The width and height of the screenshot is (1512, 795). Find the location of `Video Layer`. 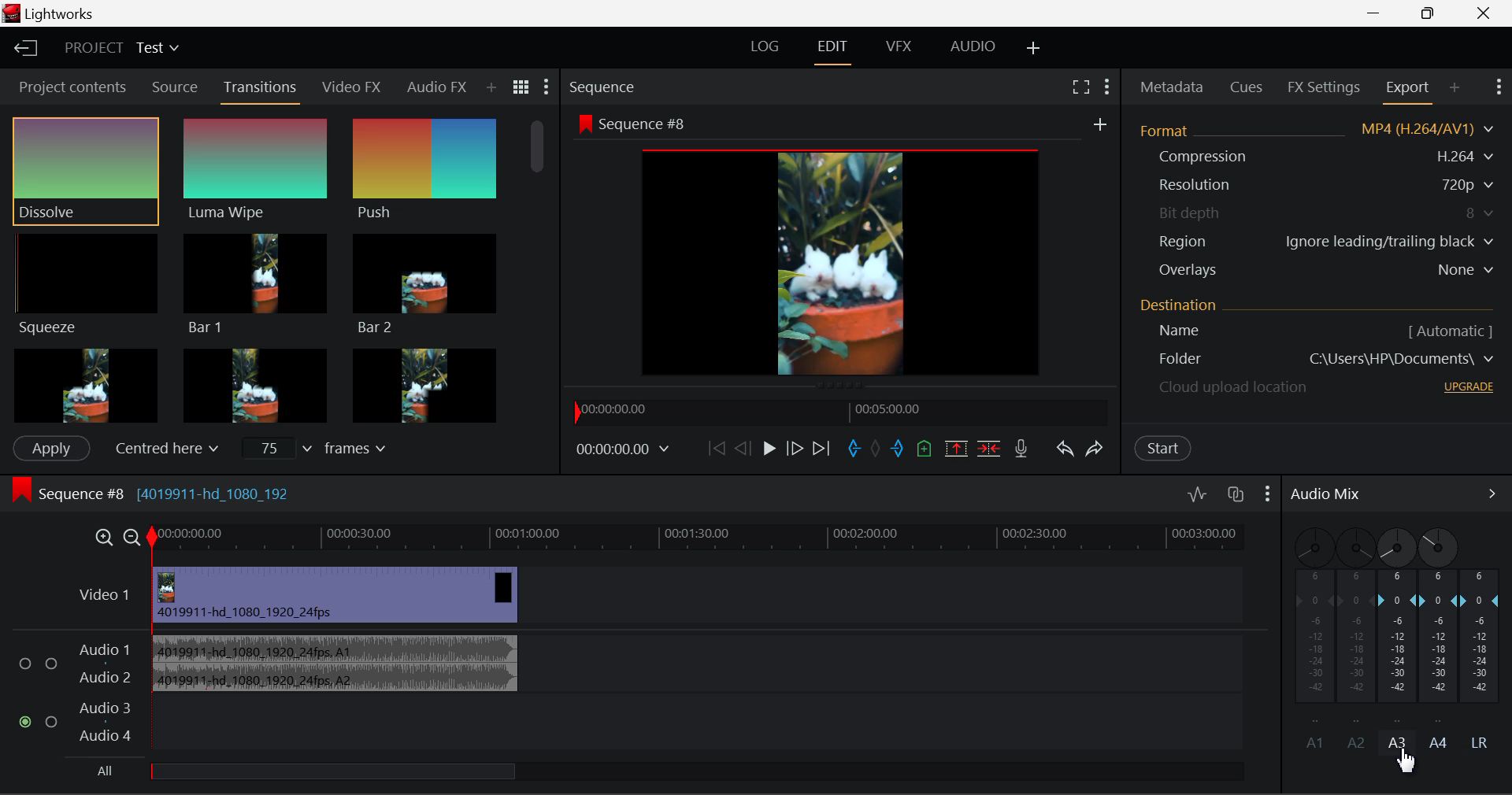

Video Layer is located at coordinates (675, 594).